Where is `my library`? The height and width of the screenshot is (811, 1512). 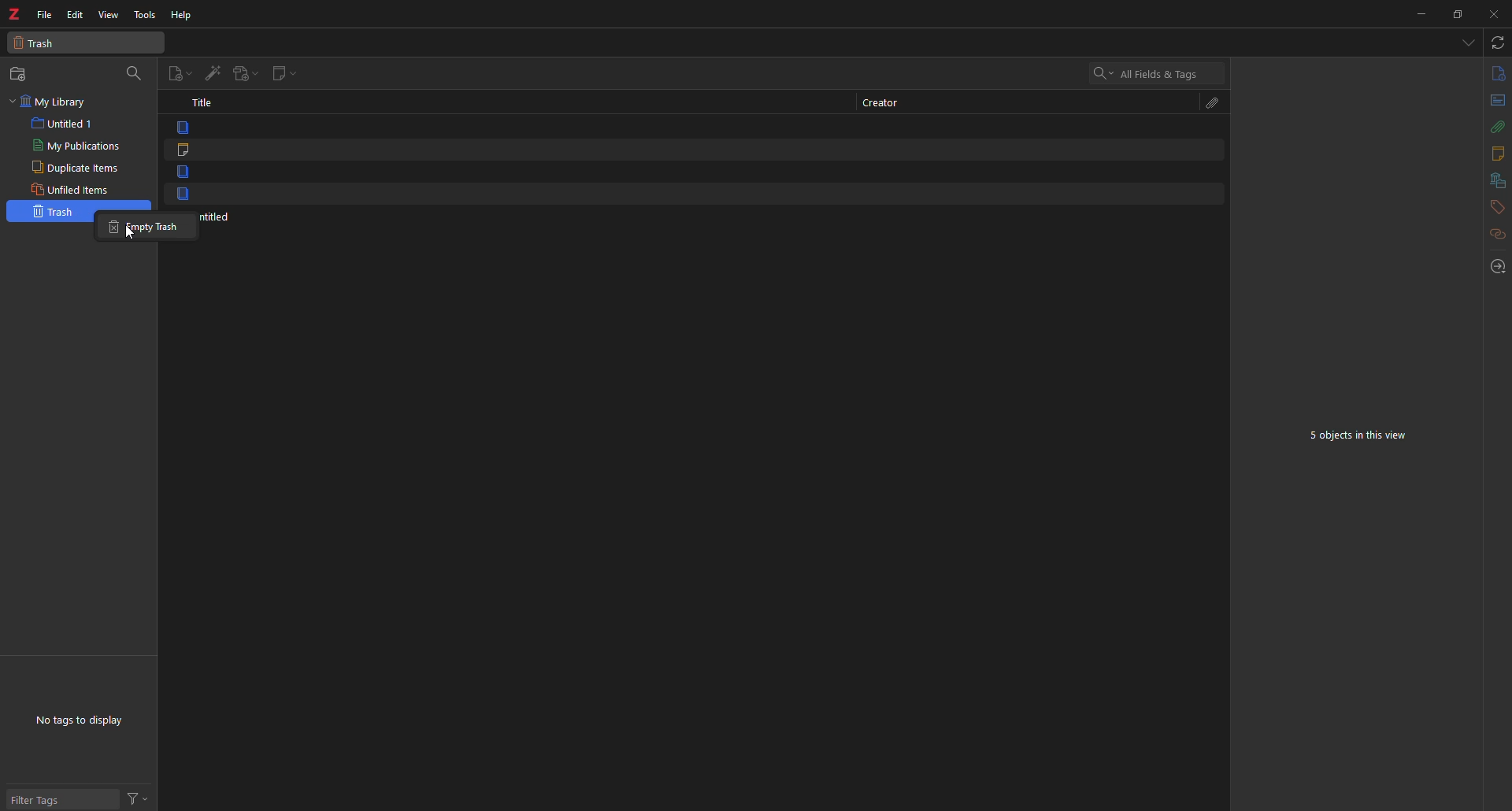
my library is located at coordinates (55, 102).